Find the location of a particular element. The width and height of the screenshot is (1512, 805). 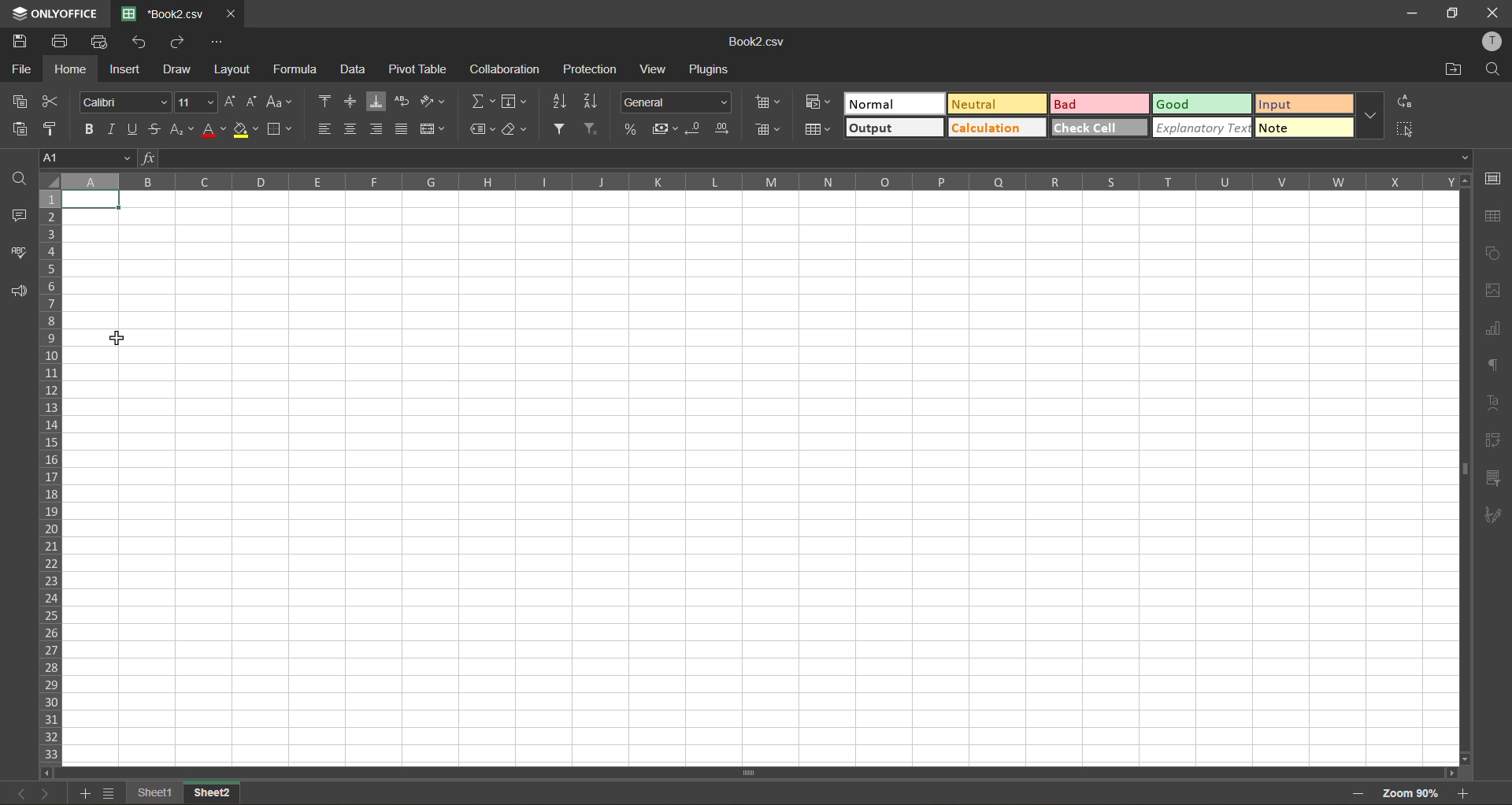

file is located at coordinates (19, 66).